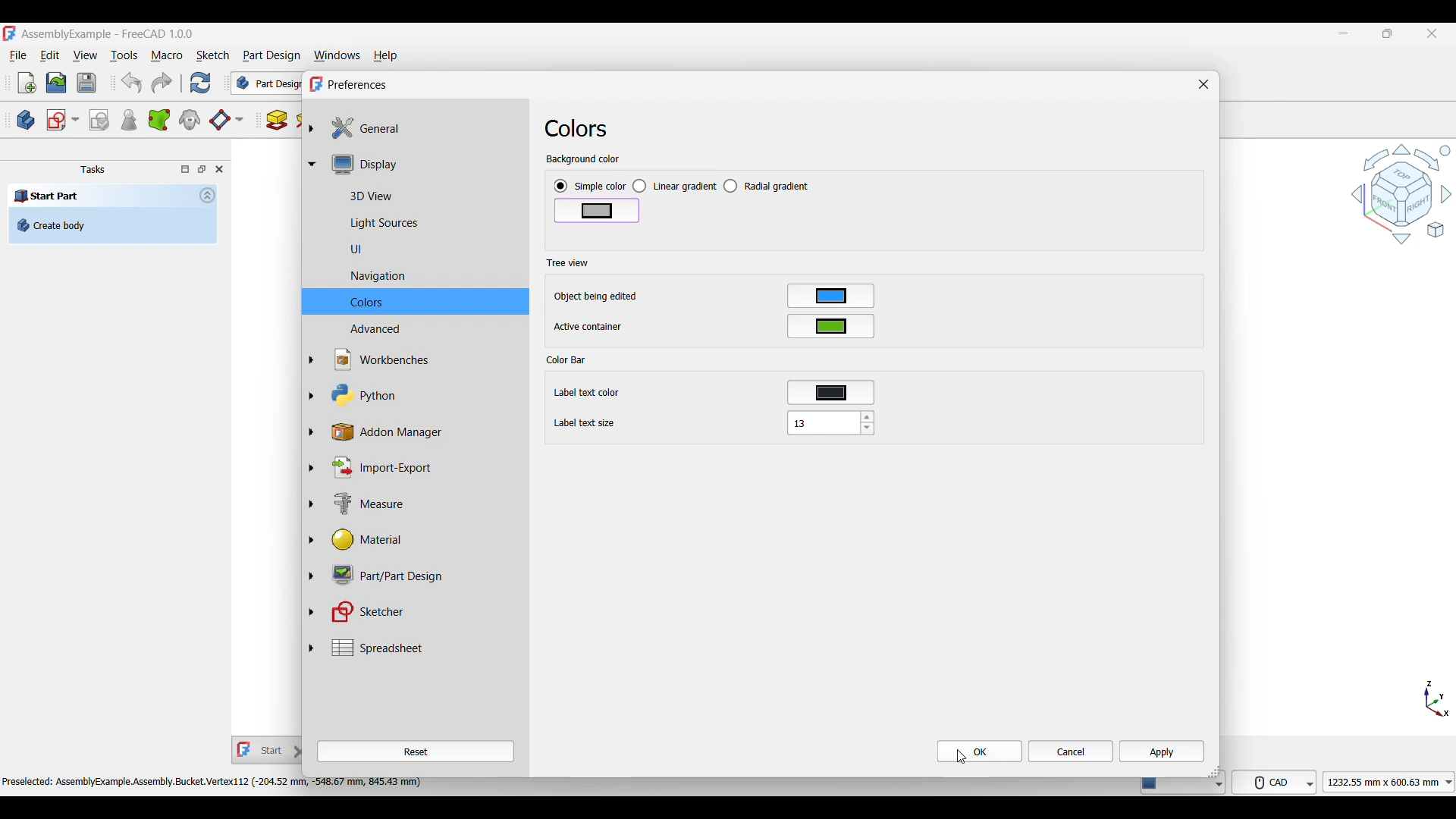 This screenshot has height=819, width=1456. Describe the element at coordinates (56, 83) in the screenshot. I see `Open` at that location.